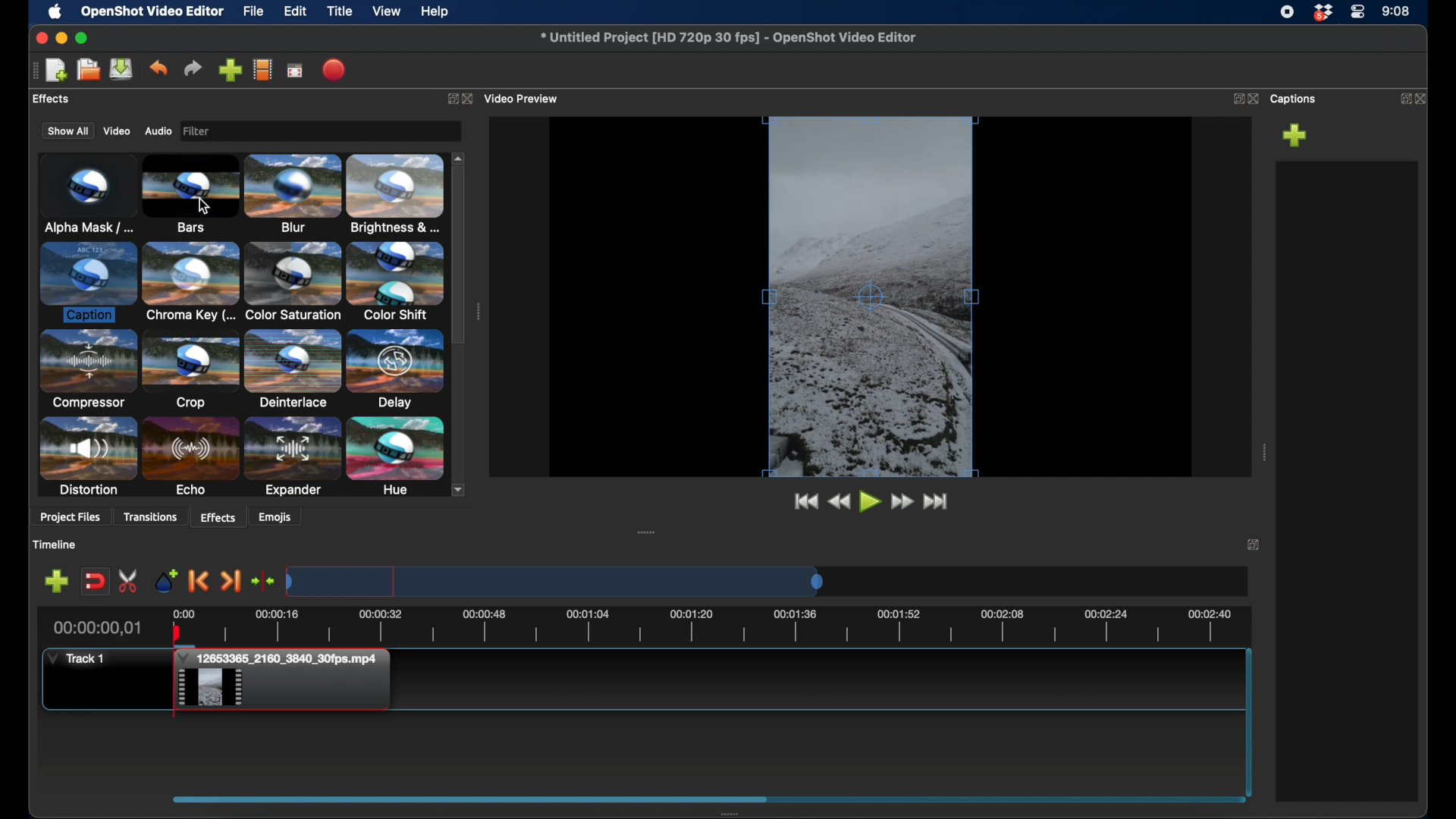 The height and width of the screenshot is (819, 1456). What do you see at coordinates (190, 284) in the screenshot?
I see `chroma key` at bounding box center [190, 284].